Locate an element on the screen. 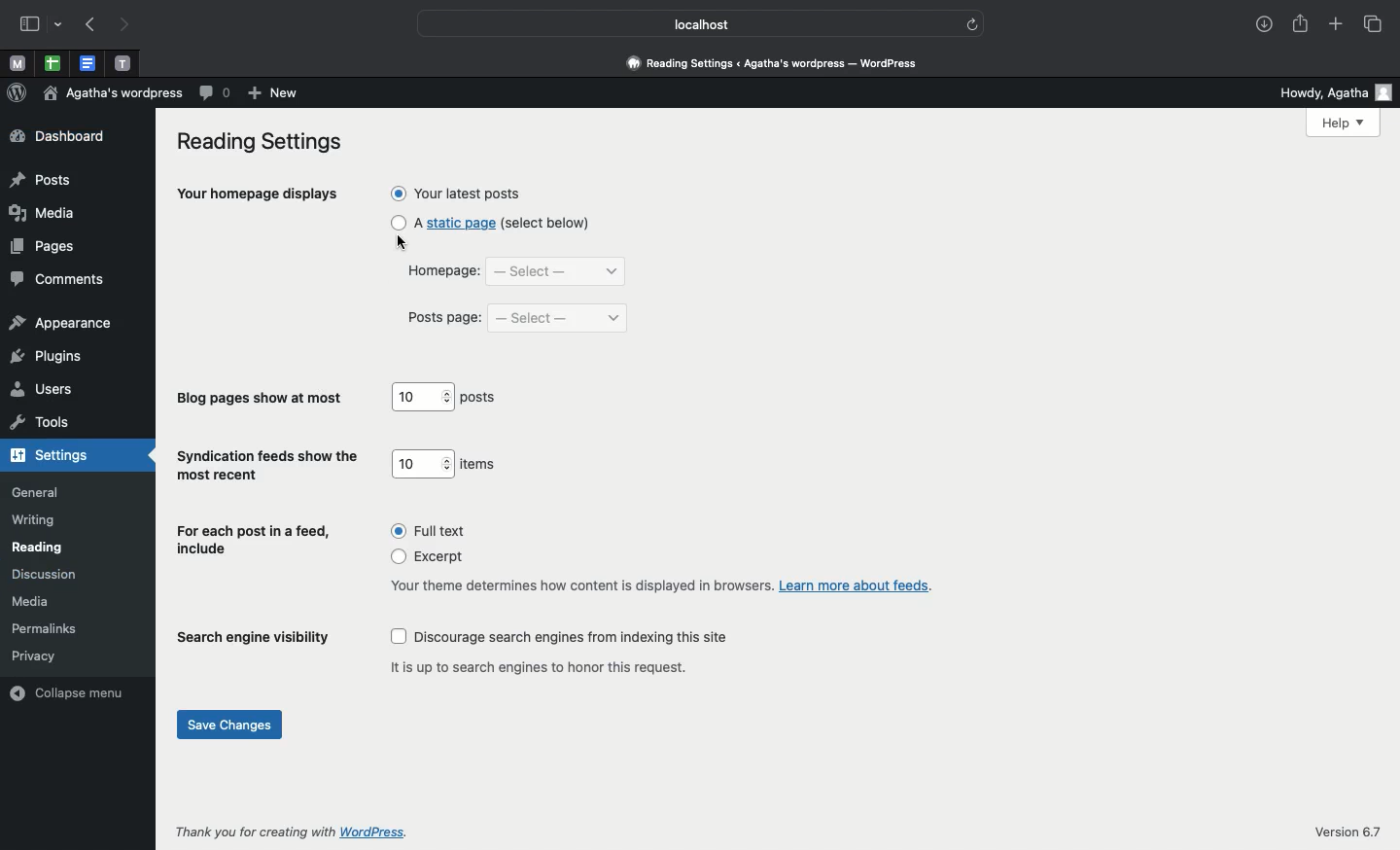 The width and height of the screenshot is (1400, 850). Sidebar is located at coordinates (30, 23).